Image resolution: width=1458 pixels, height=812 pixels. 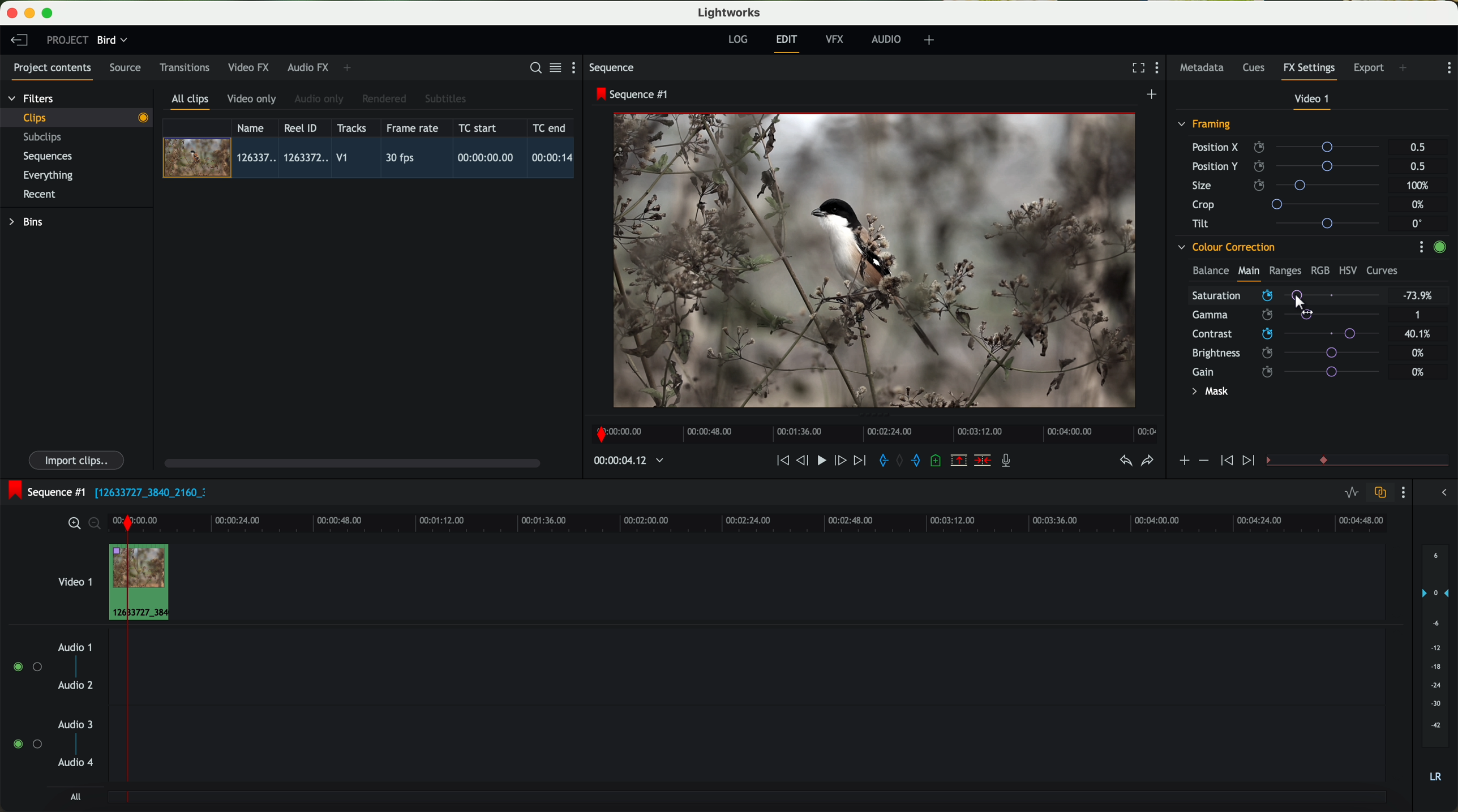 What do you see at coordinates (251, 100) in the screenshot?
I see `video only` at bounding box center [251, 100].